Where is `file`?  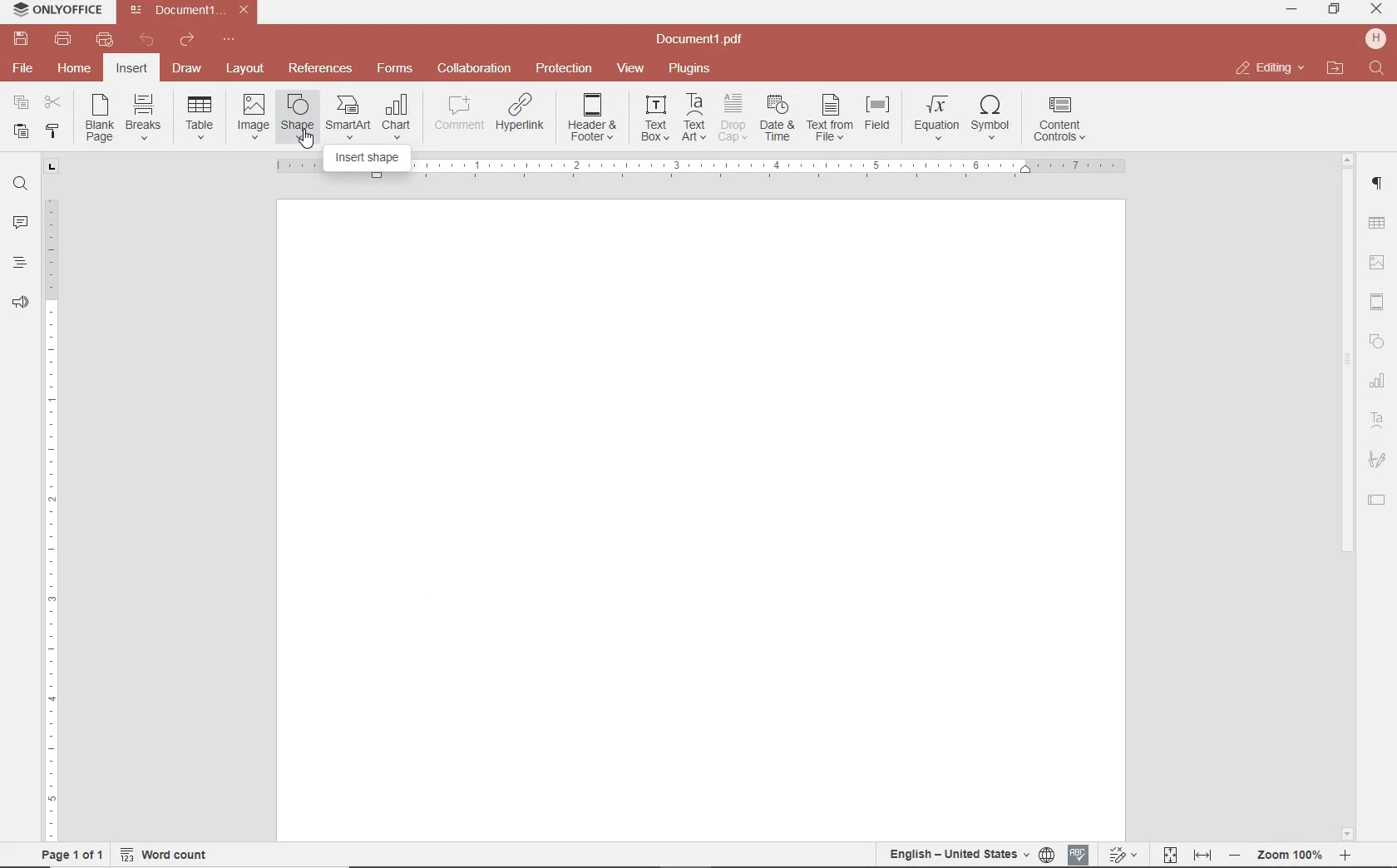 file is located at coordinates (24, 68).